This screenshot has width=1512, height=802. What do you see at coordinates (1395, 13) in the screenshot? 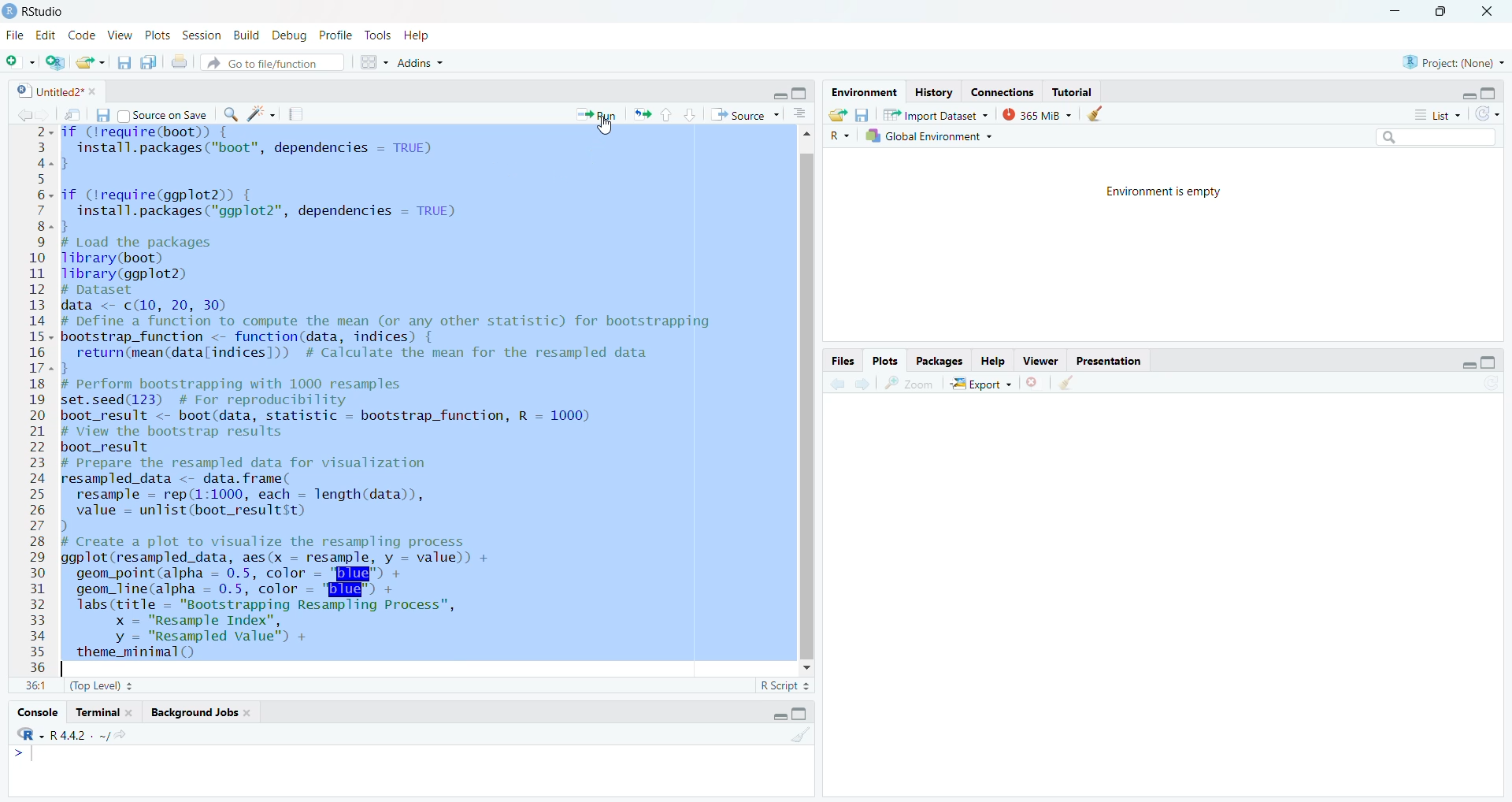
I see `minimize` at bounding box center [1395, 13].